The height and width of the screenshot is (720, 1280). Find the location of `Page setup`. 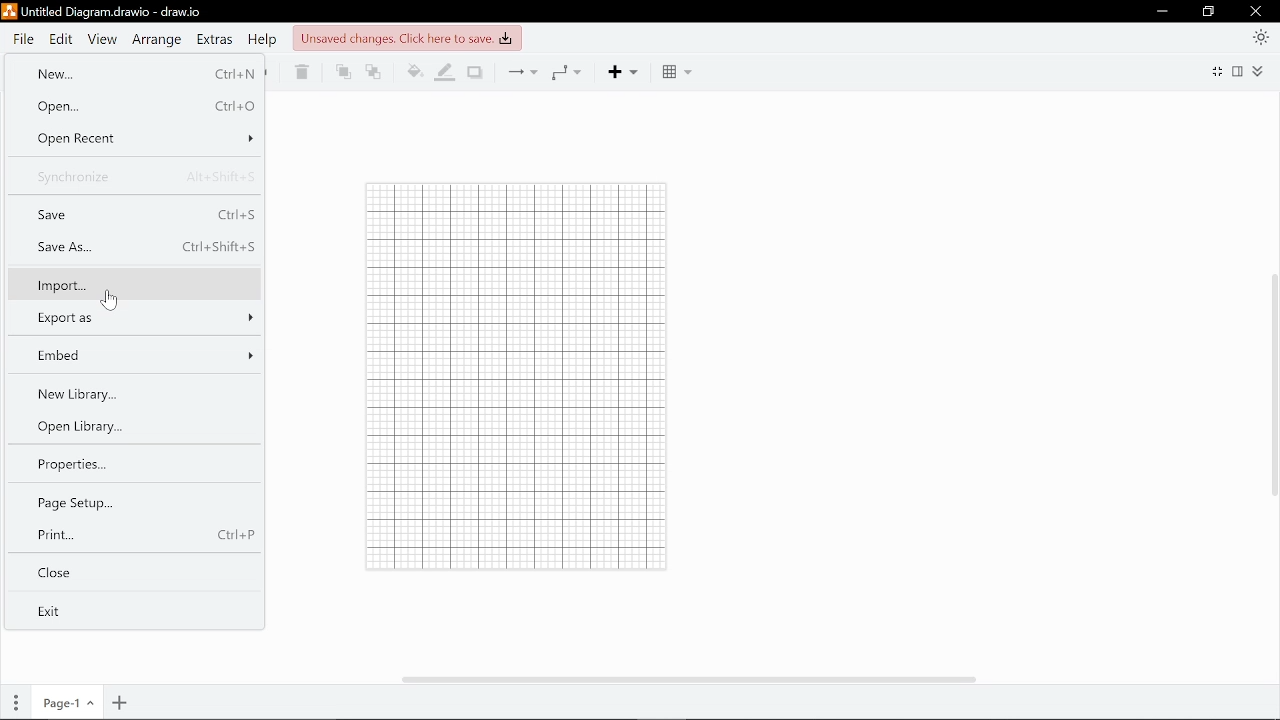

Page setup is located at coordinates (126, 503).